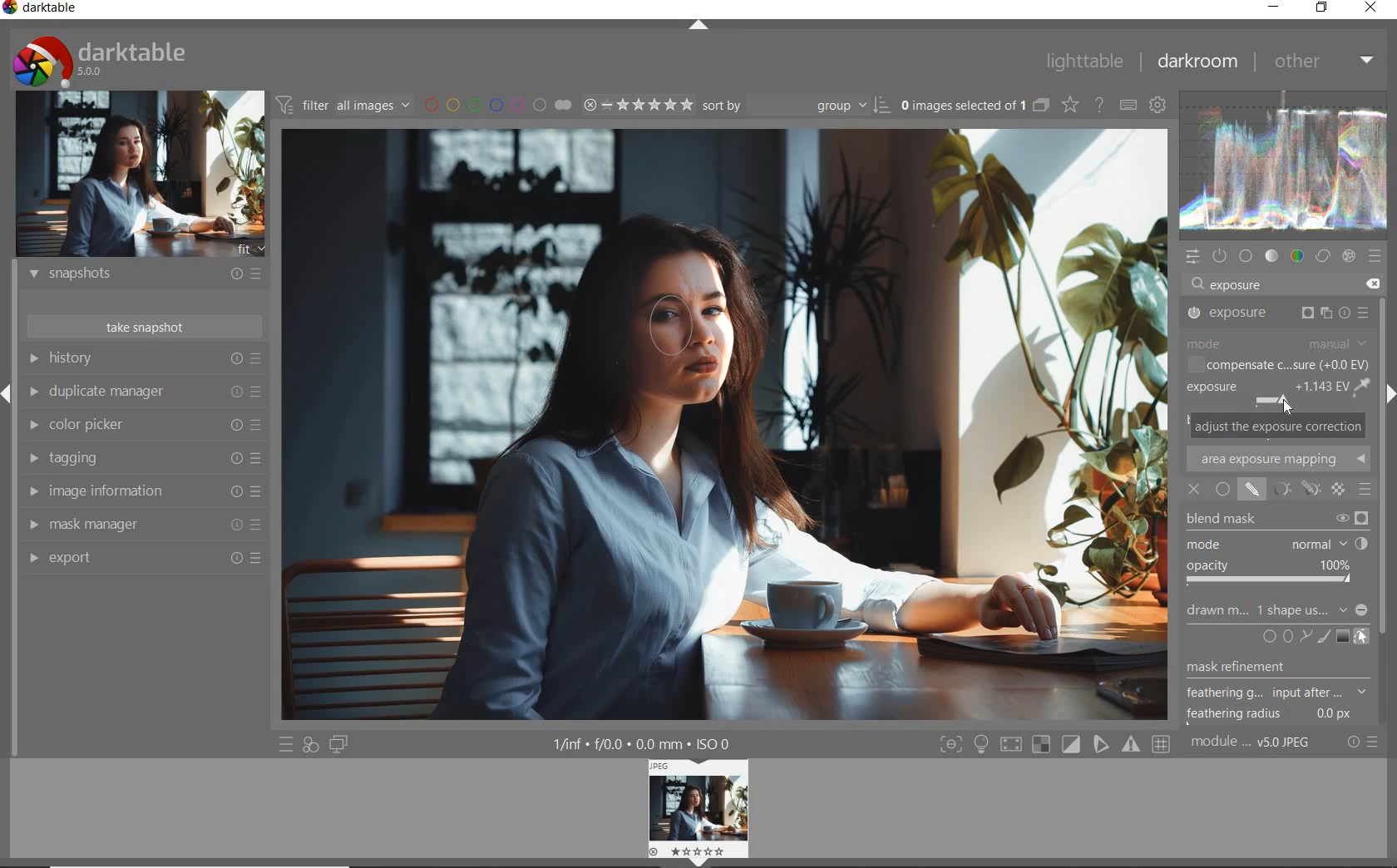 The width and height of the screenshot is (1397, 868). Describe the element at coordinates (142, 358) in the screenshot. I see `history` at that location.